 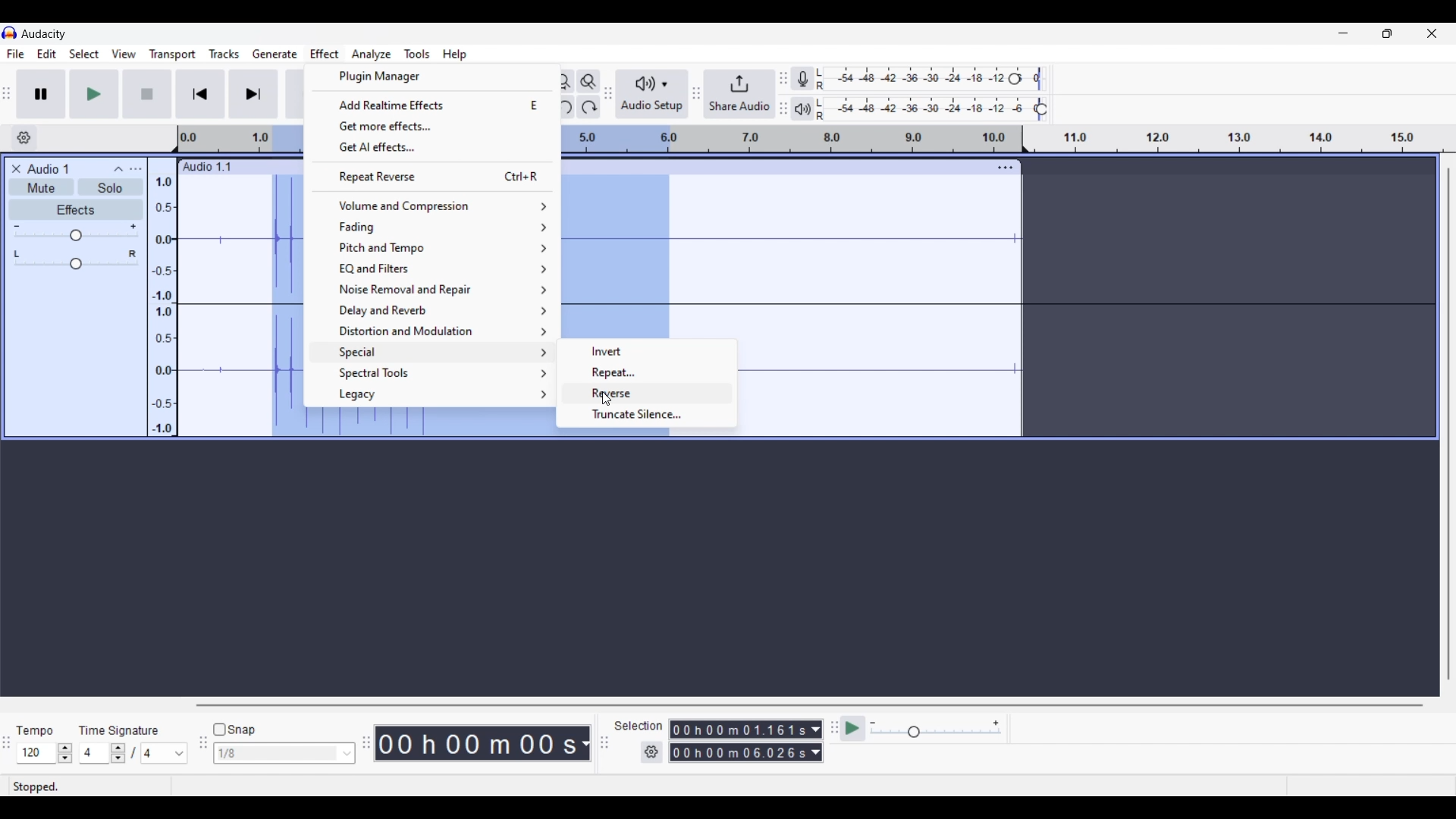 What do you see at coordinates (1343, 33) in the screenshot?
I see `Minimize` at bounding box center [1343, 33].